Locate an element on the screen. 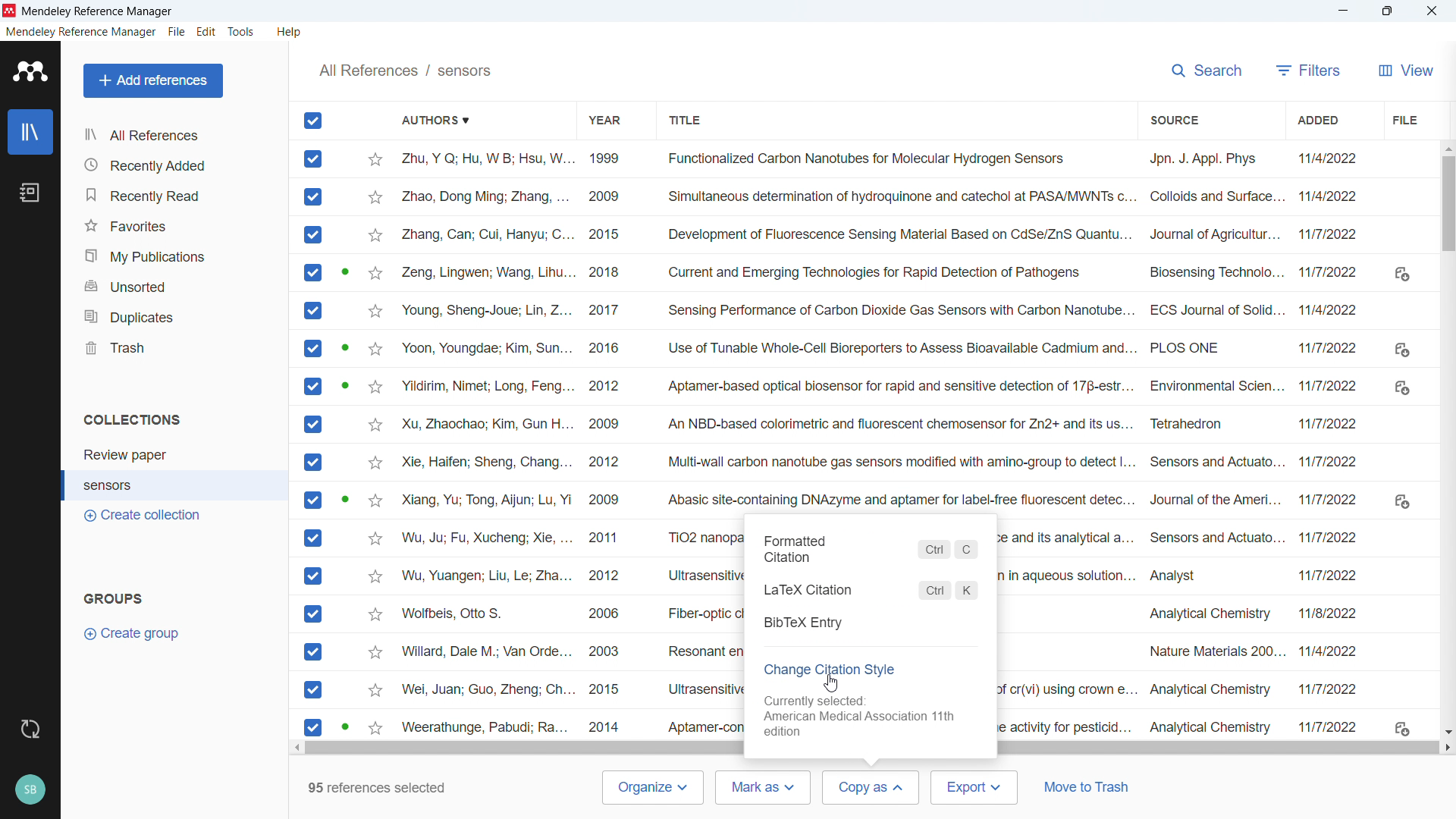 Image resolution: width=1456 pixels, height=819 pixels. trash is located at coordinates (173, 347).